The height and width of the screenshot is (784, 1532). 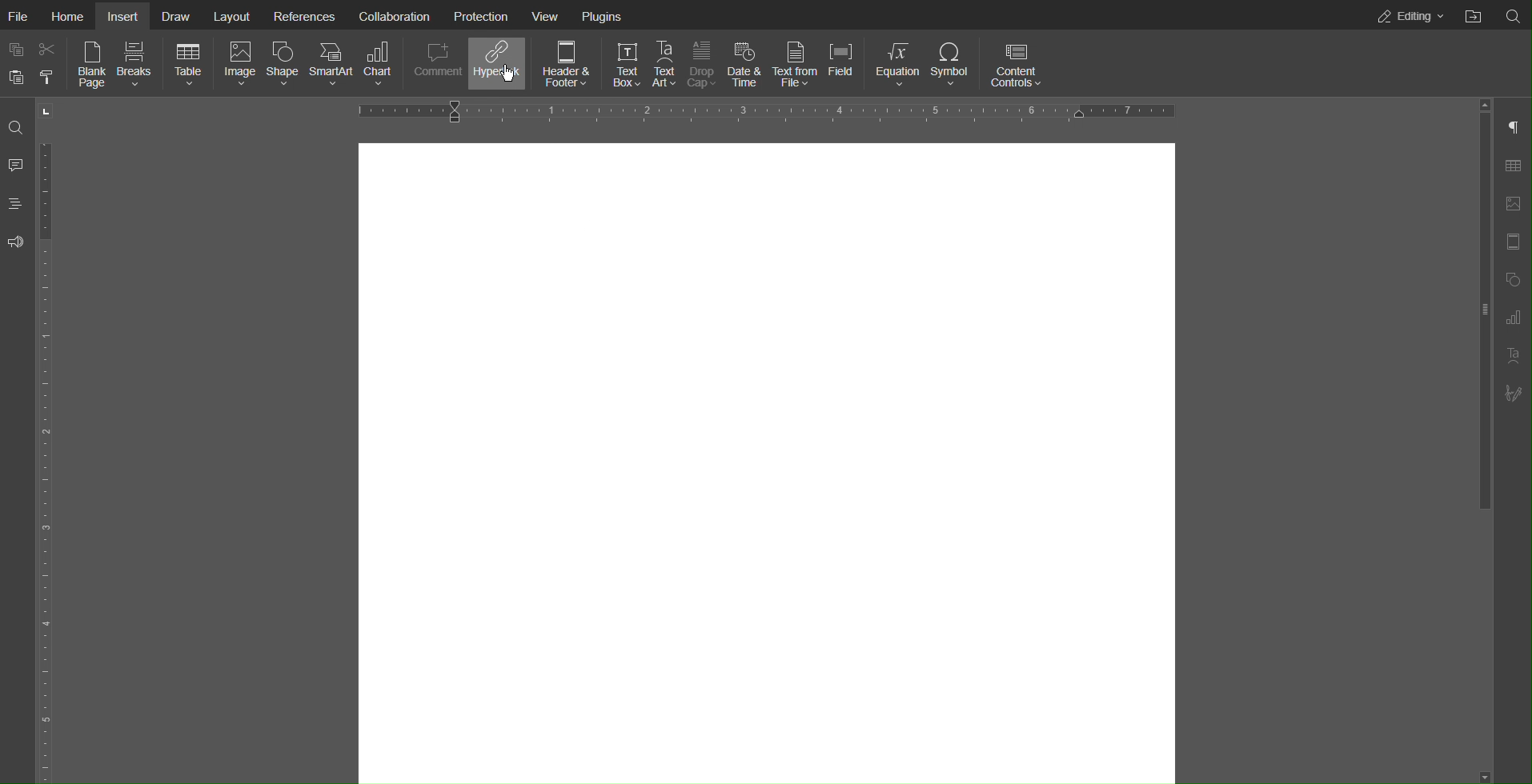 I want to click on Feedback and Support, so click(x=16, y=243).